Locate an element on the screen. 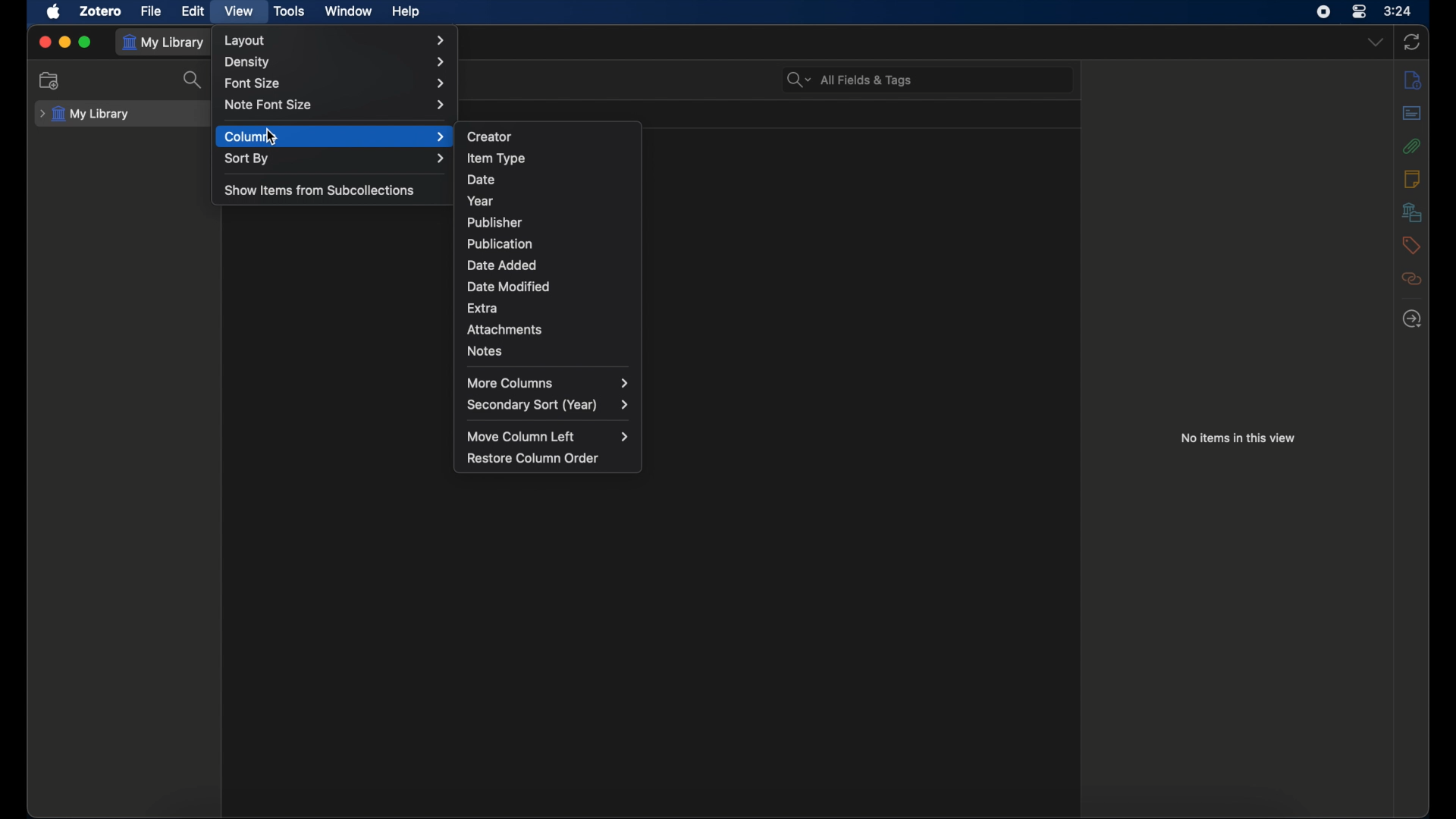  density is located at coordinates (335, 61).